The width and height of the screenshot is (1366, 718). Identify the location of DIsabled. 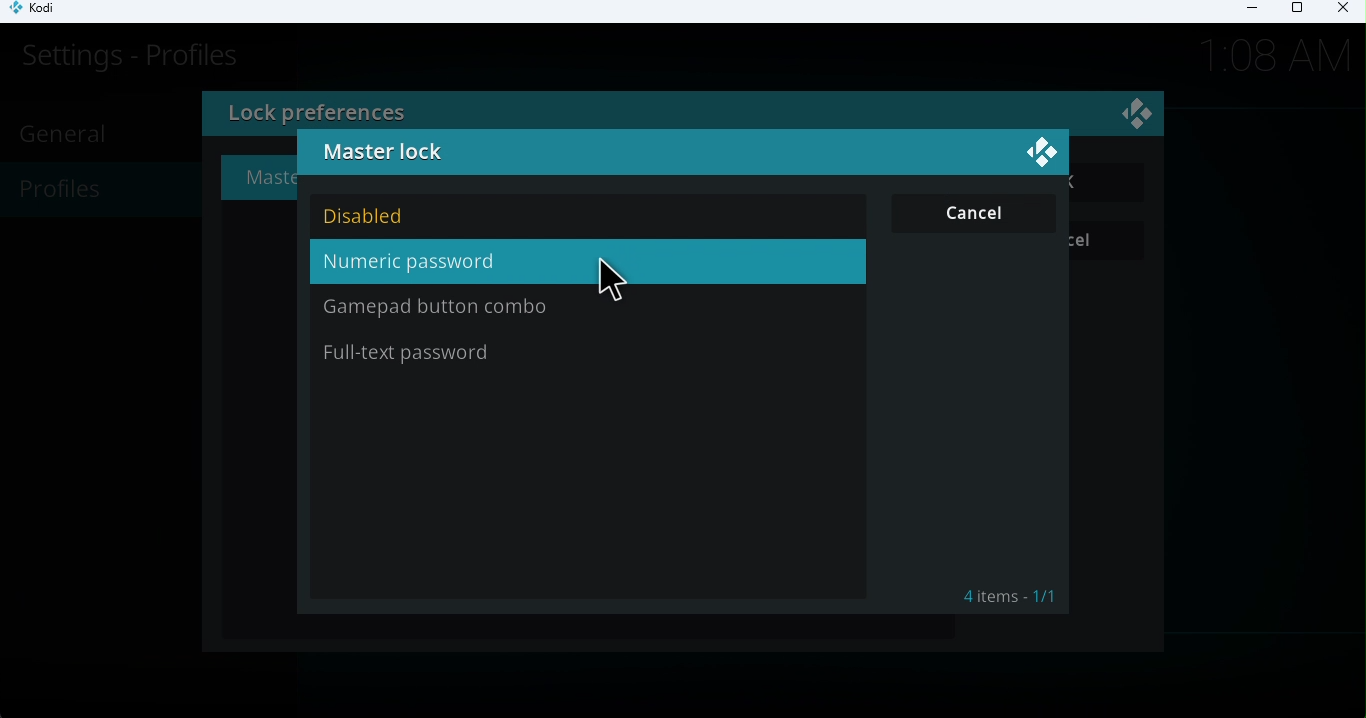
(384, 212).